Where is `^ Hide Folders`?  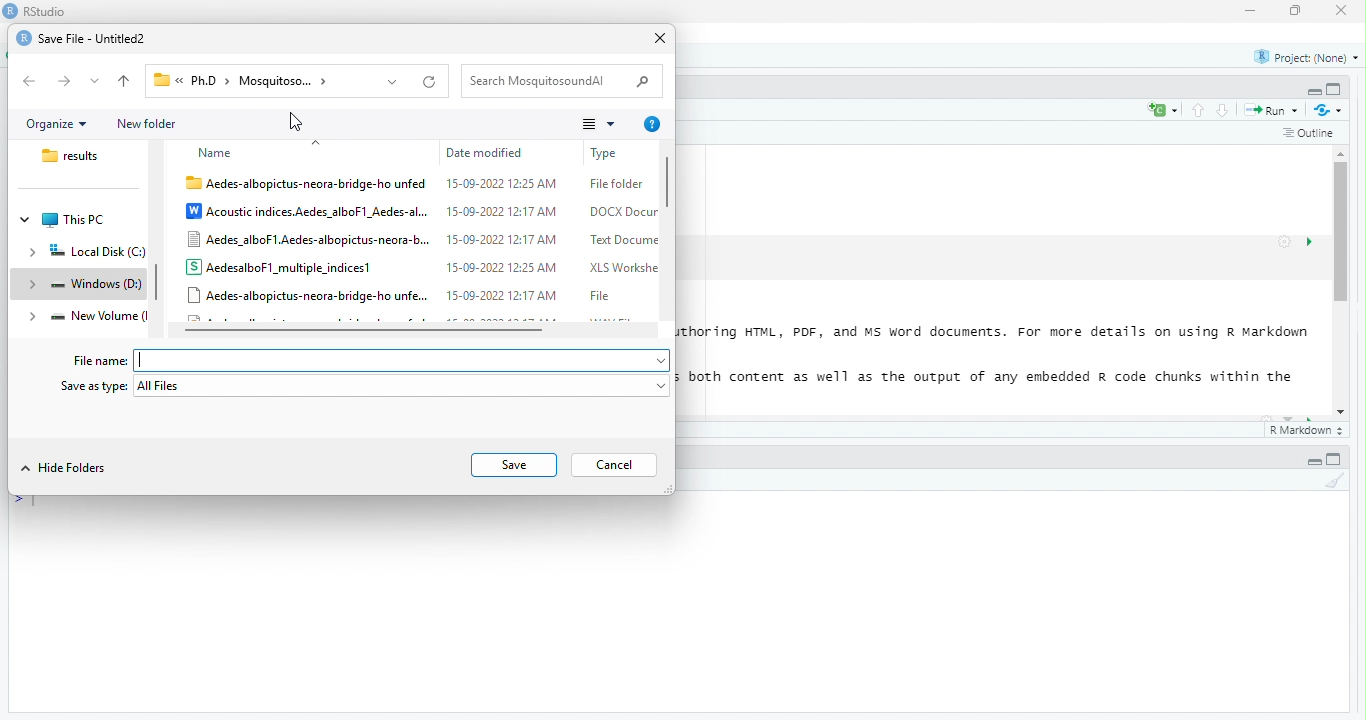
^ Hide Folders is located at coordinates (65, 468).